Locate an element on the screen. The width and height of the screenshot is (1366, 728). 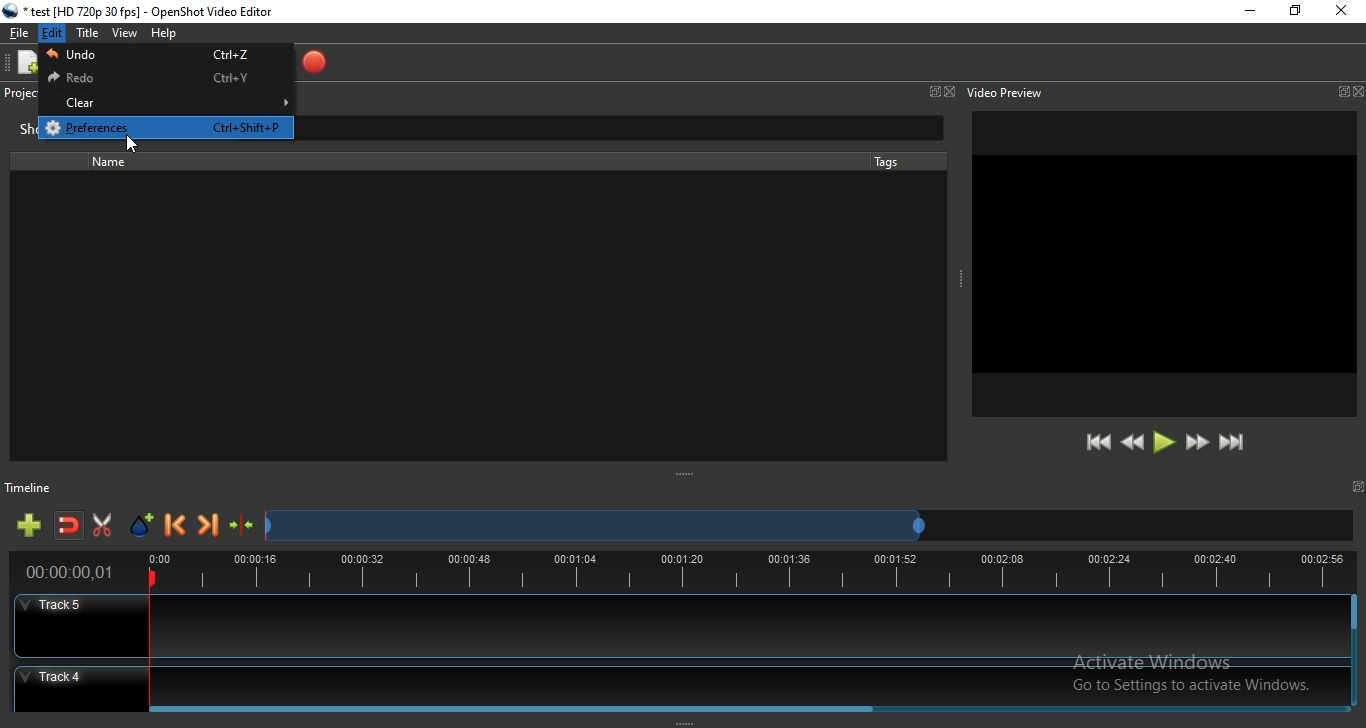
cursor is located at coordinates (131, 142).